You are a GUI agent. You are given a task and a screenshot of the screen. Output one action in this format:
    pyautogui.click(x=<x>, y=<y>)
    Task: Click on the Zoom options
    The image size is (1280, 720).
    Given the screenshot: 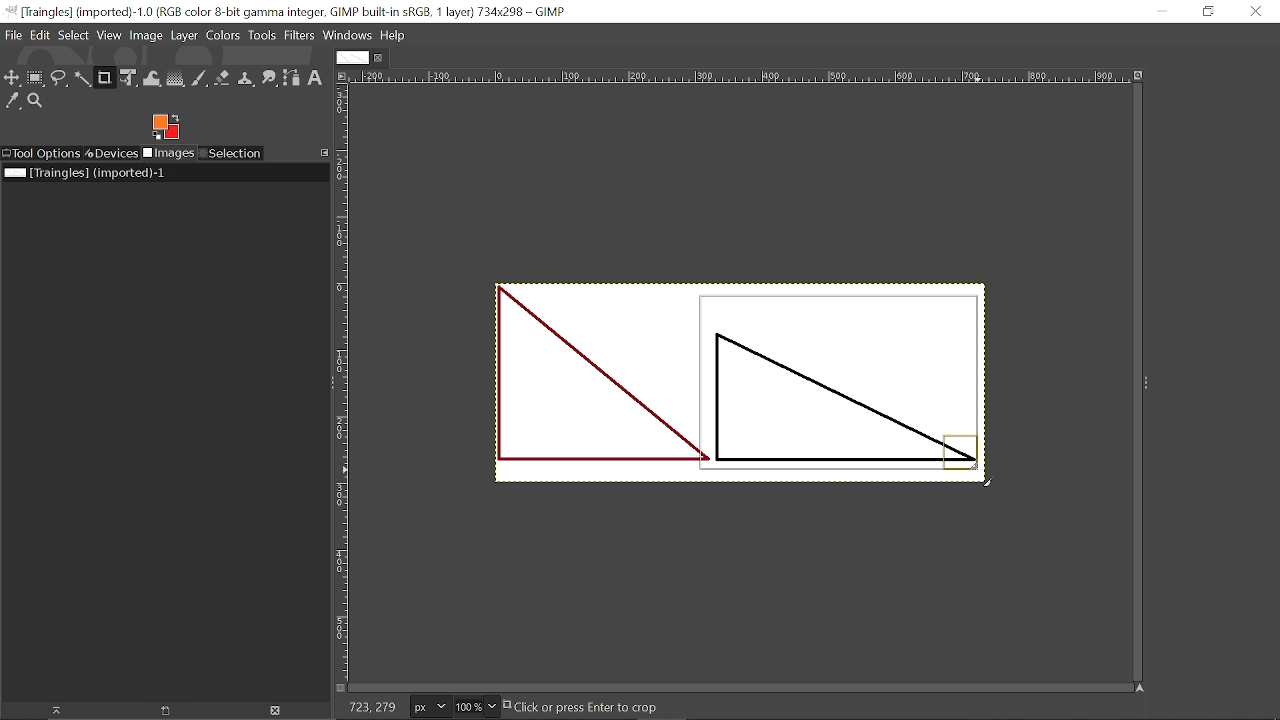 What is the action you would take?
    pyautogui.click(x=491, y=707)
    